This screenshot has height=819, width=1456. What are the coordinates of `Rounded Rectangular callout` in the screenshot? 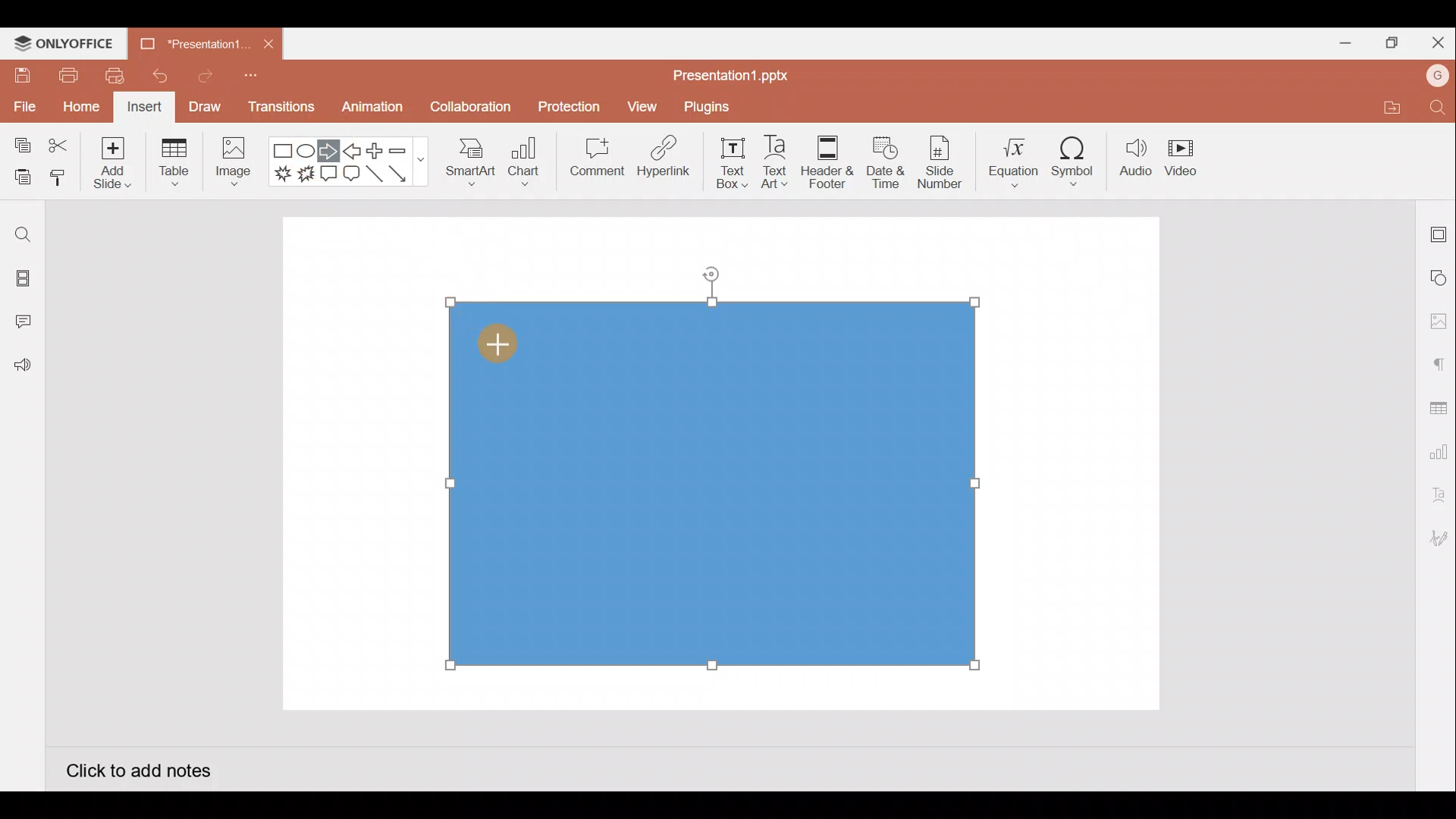 It's located at (351, 171).